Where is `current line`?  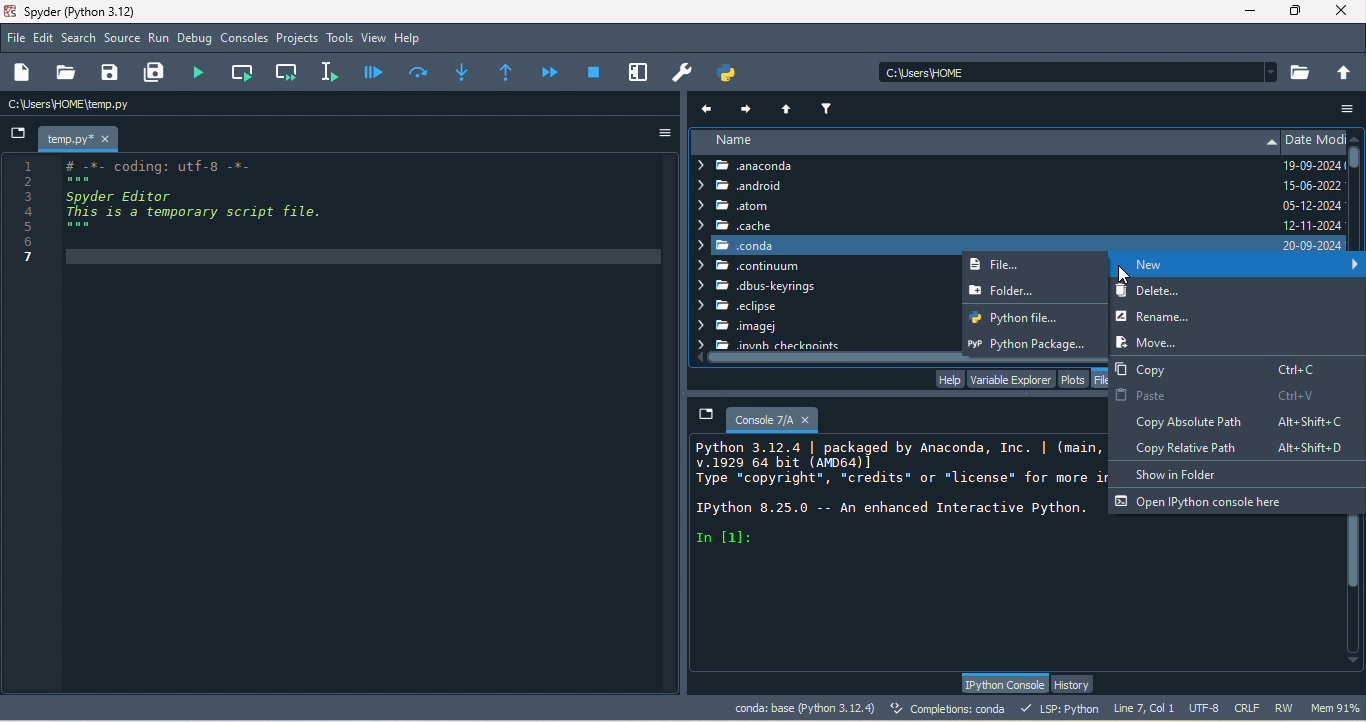
current line is located at coordinates (333, 71).